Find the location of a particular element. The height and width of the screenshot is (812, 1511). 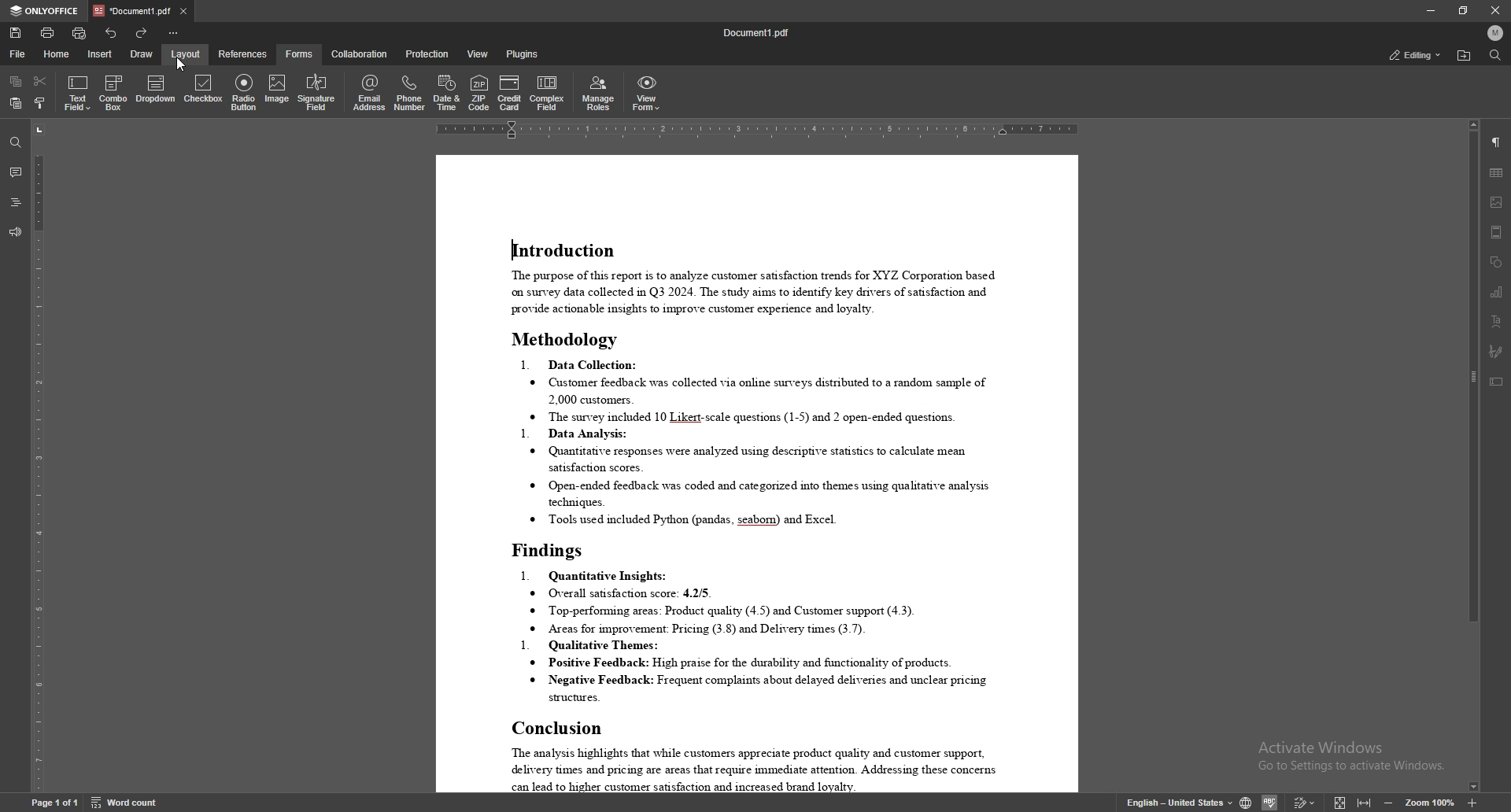

copy is located at coordinates (16, 81).